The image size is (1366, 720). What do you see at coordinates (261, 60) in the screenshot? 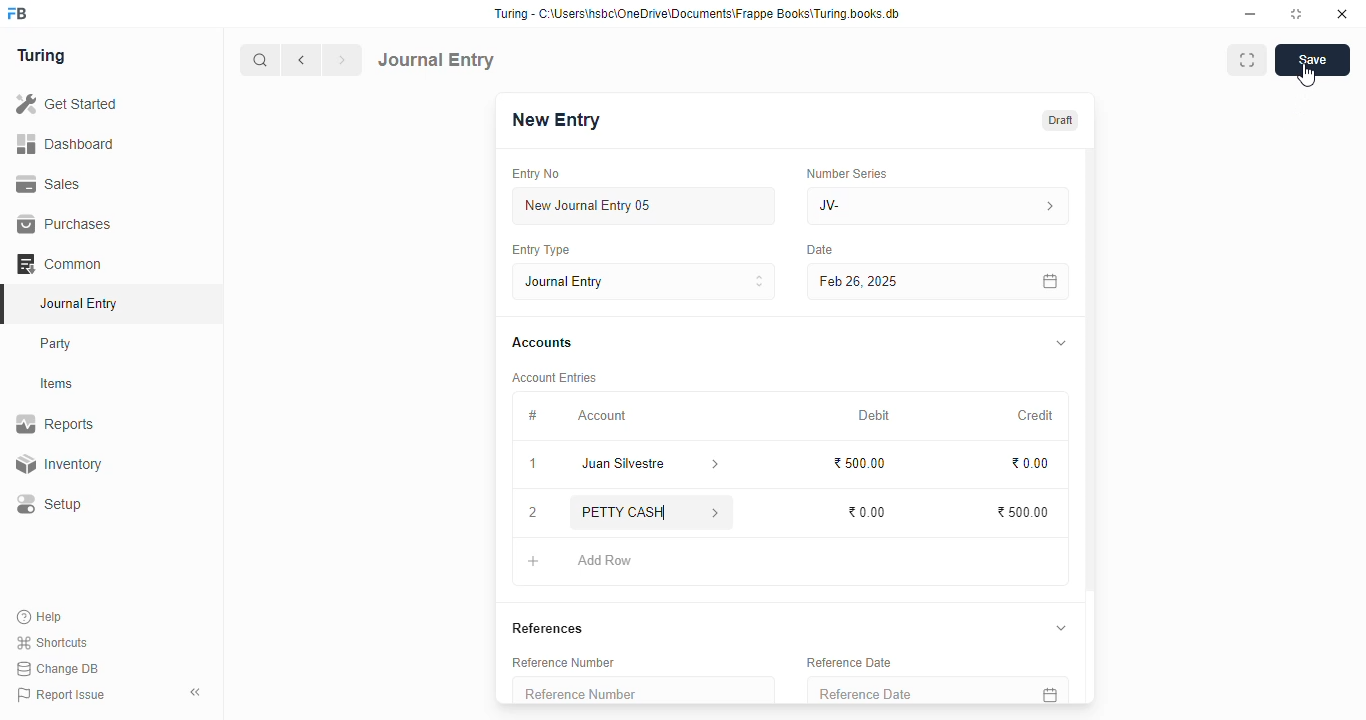
I see `search` at bounding box center [261, 60].